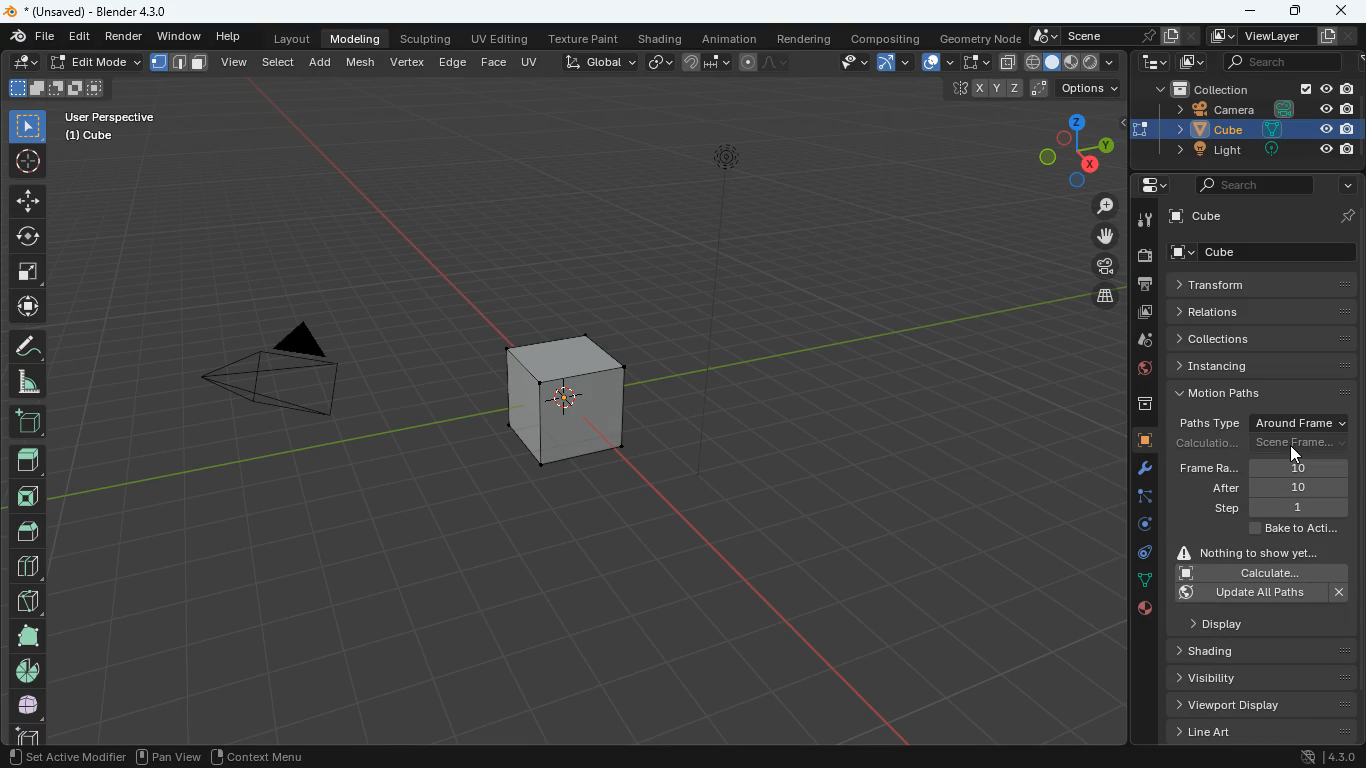 The width and height of the screenshot is (1366, 768). I want to click on Calculatio..., so click(1209, 444).